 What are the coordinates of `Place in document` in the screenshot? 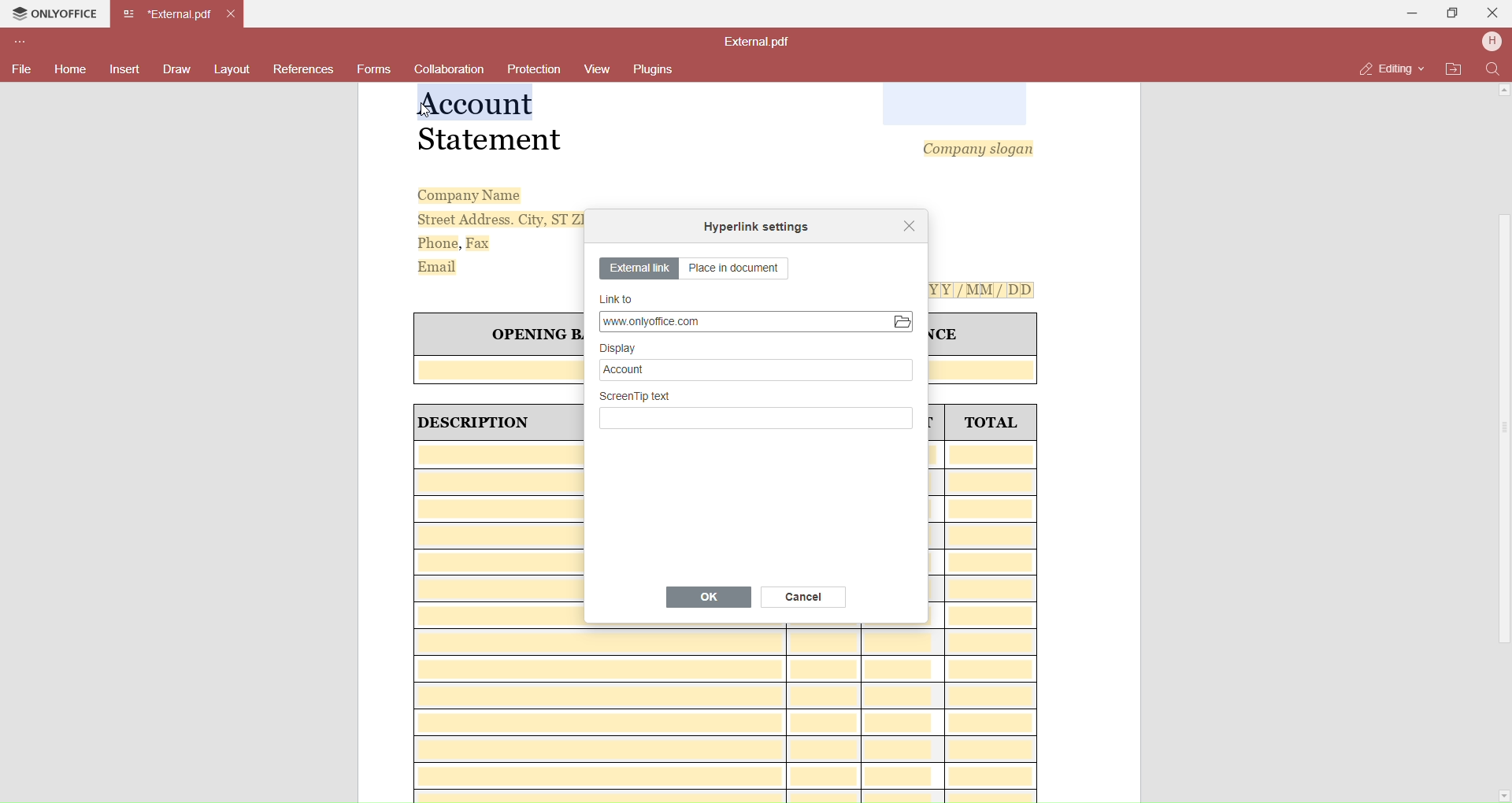 It's located at (736, 268).